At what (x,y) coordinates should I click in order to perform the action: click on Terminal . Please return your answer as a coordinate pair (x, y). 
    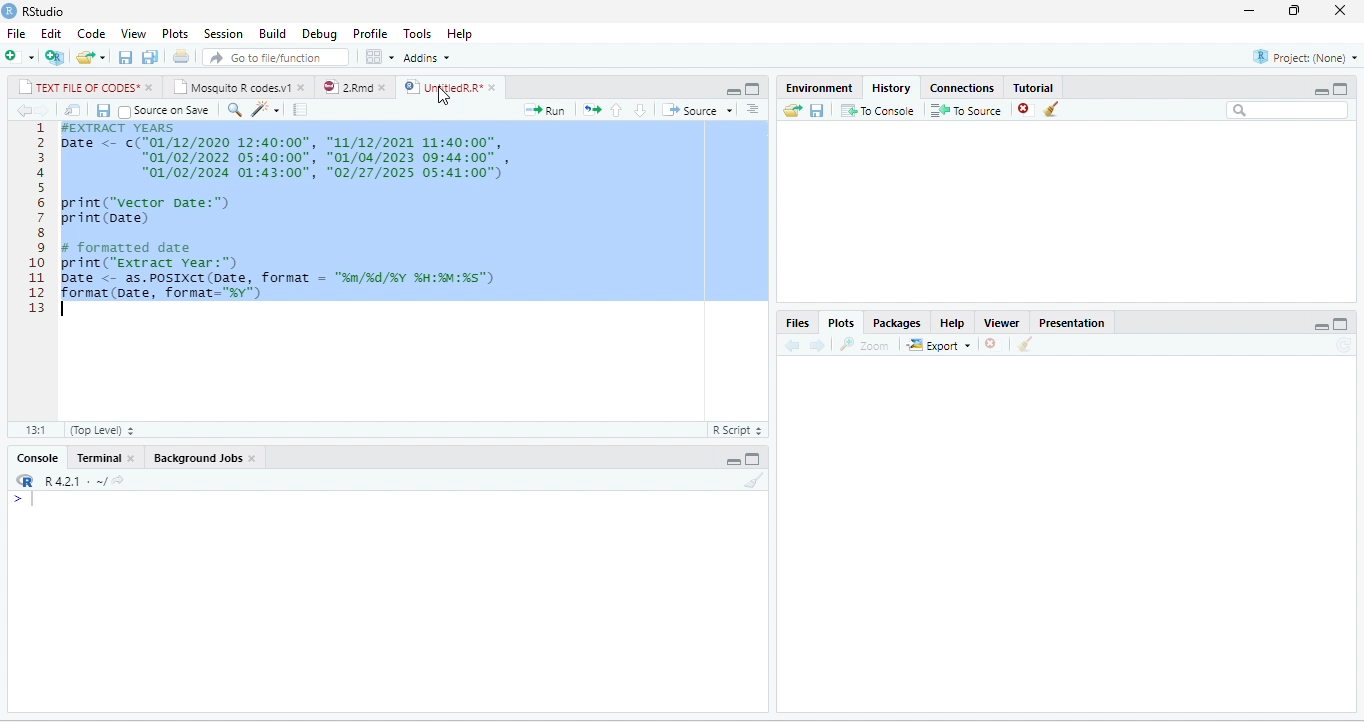
    Looking at the image, I should click on (97, 458).